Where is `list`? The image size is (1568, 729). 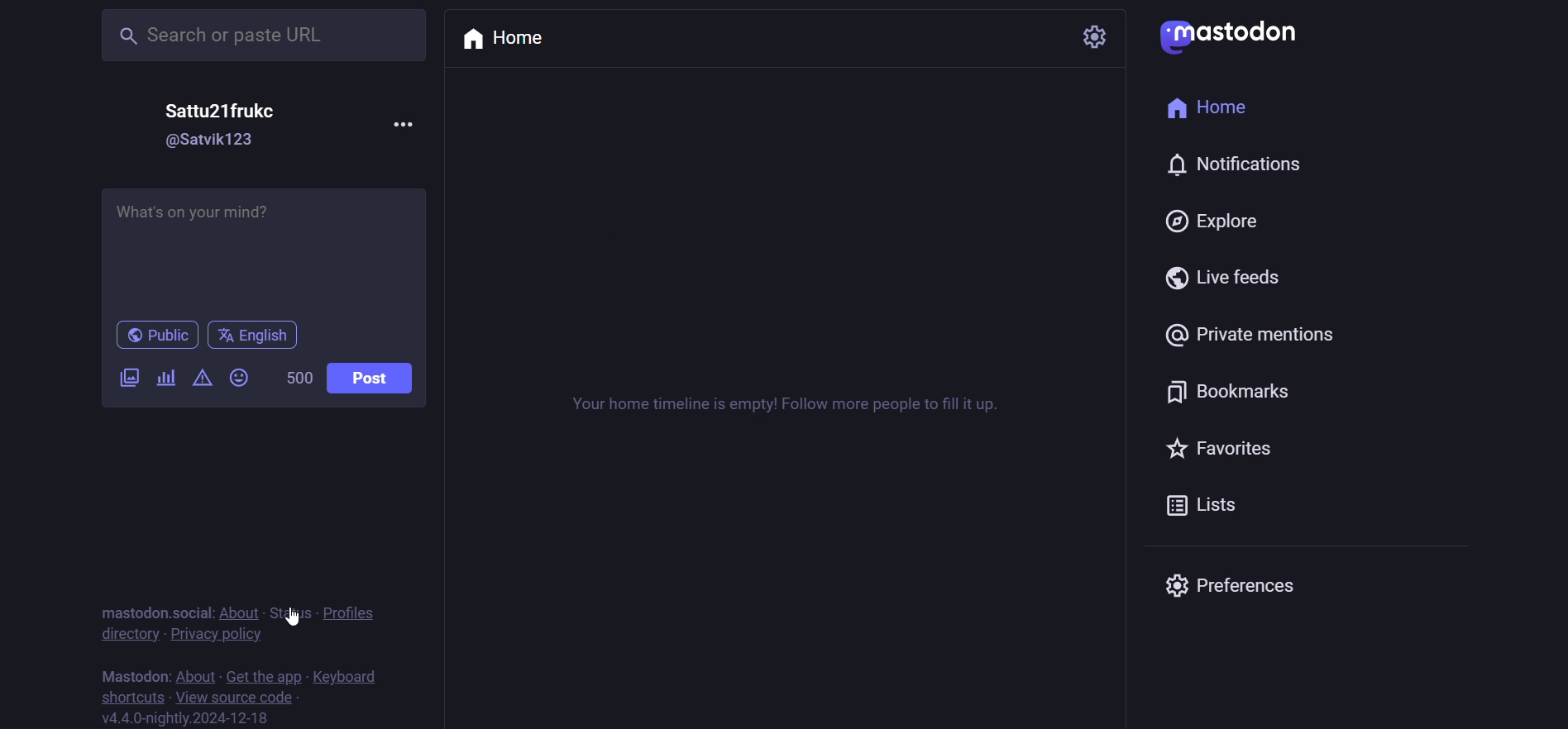
list is located at coordinates (1199, 503).